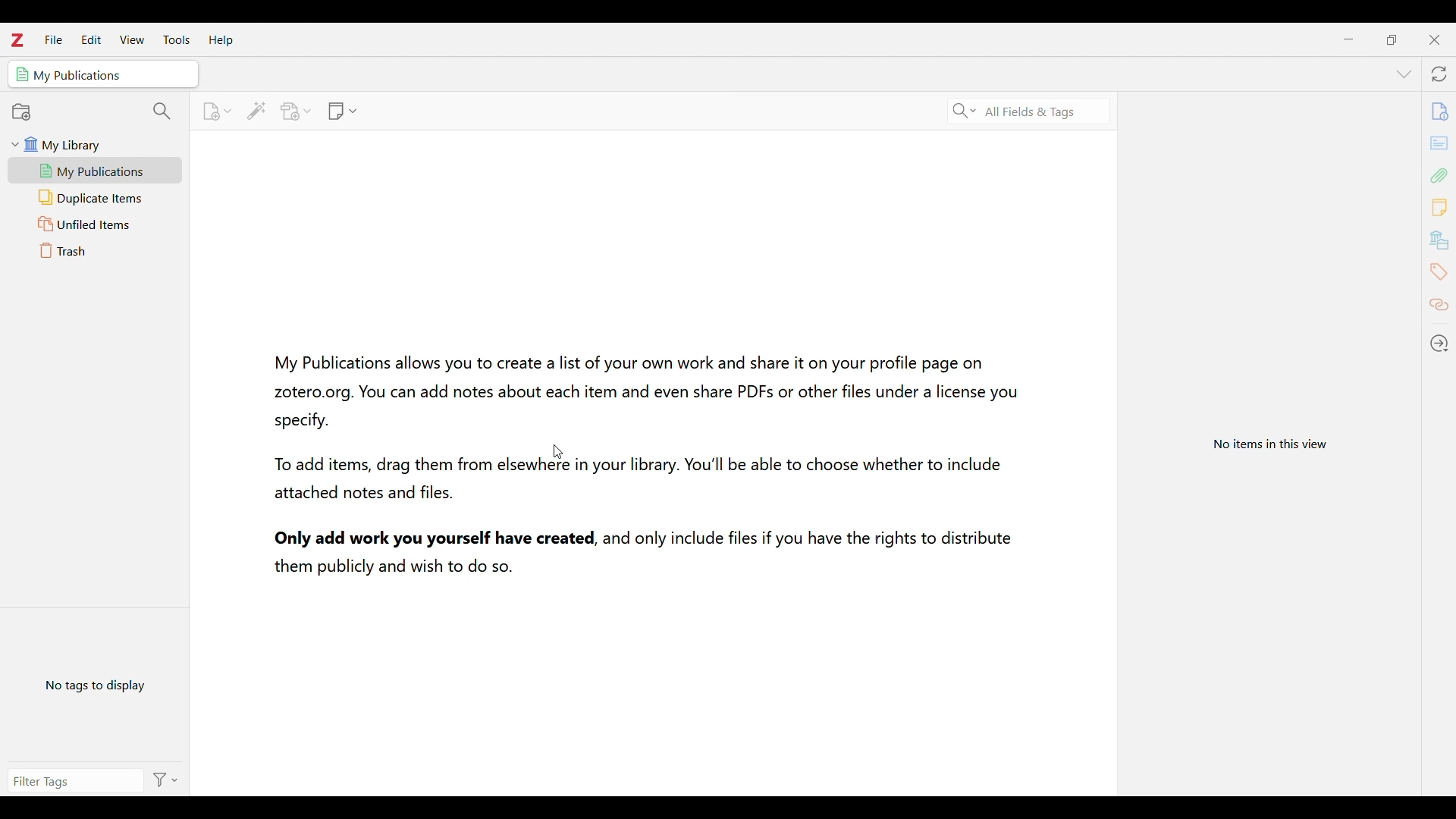 This screenshot has width=1456, height=819. I want to click on My library, so click(100, 144).